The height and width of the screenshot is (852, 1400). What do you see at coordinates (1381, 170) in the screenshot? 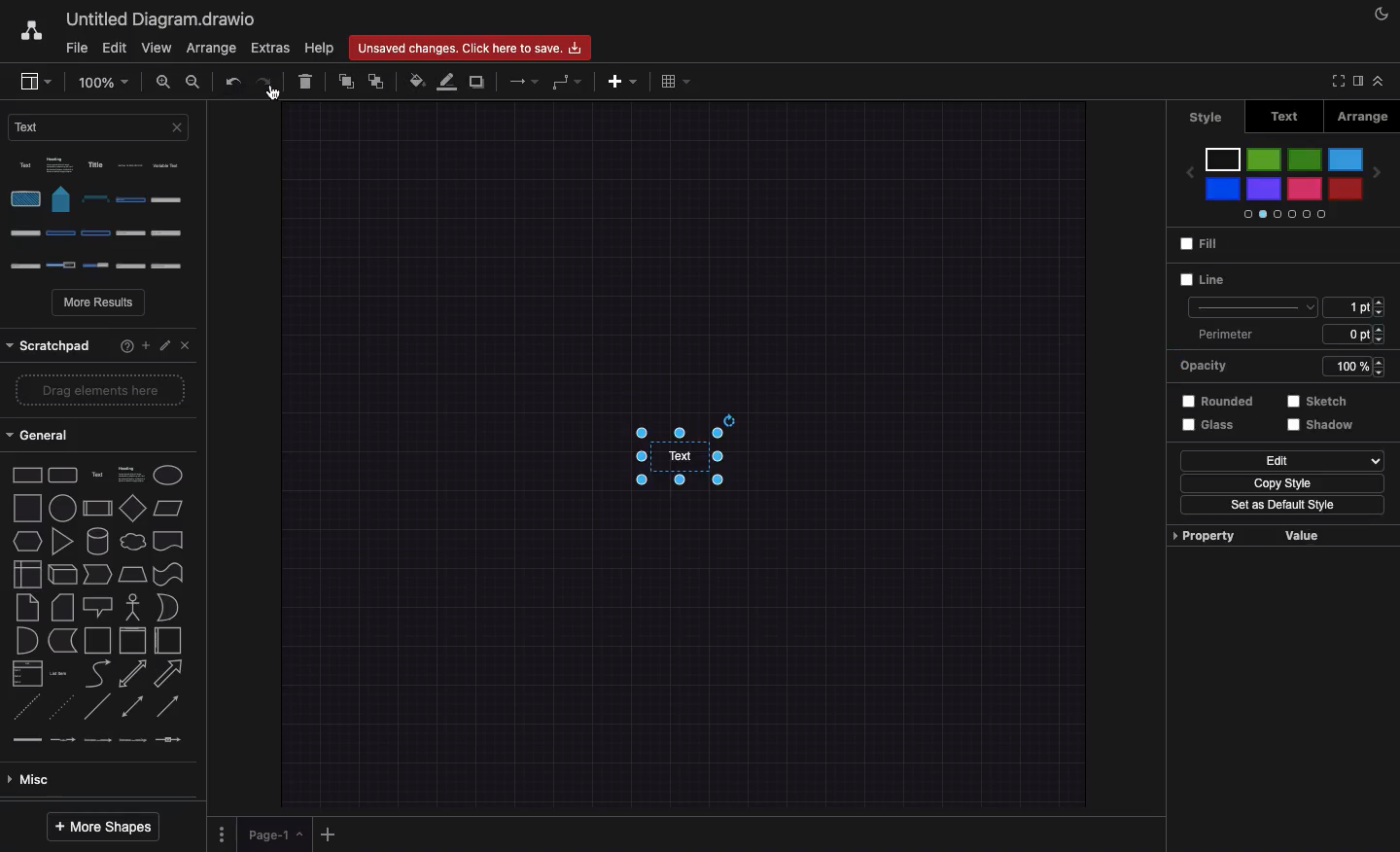
I see `Next` at bounding box center [1381, 170].